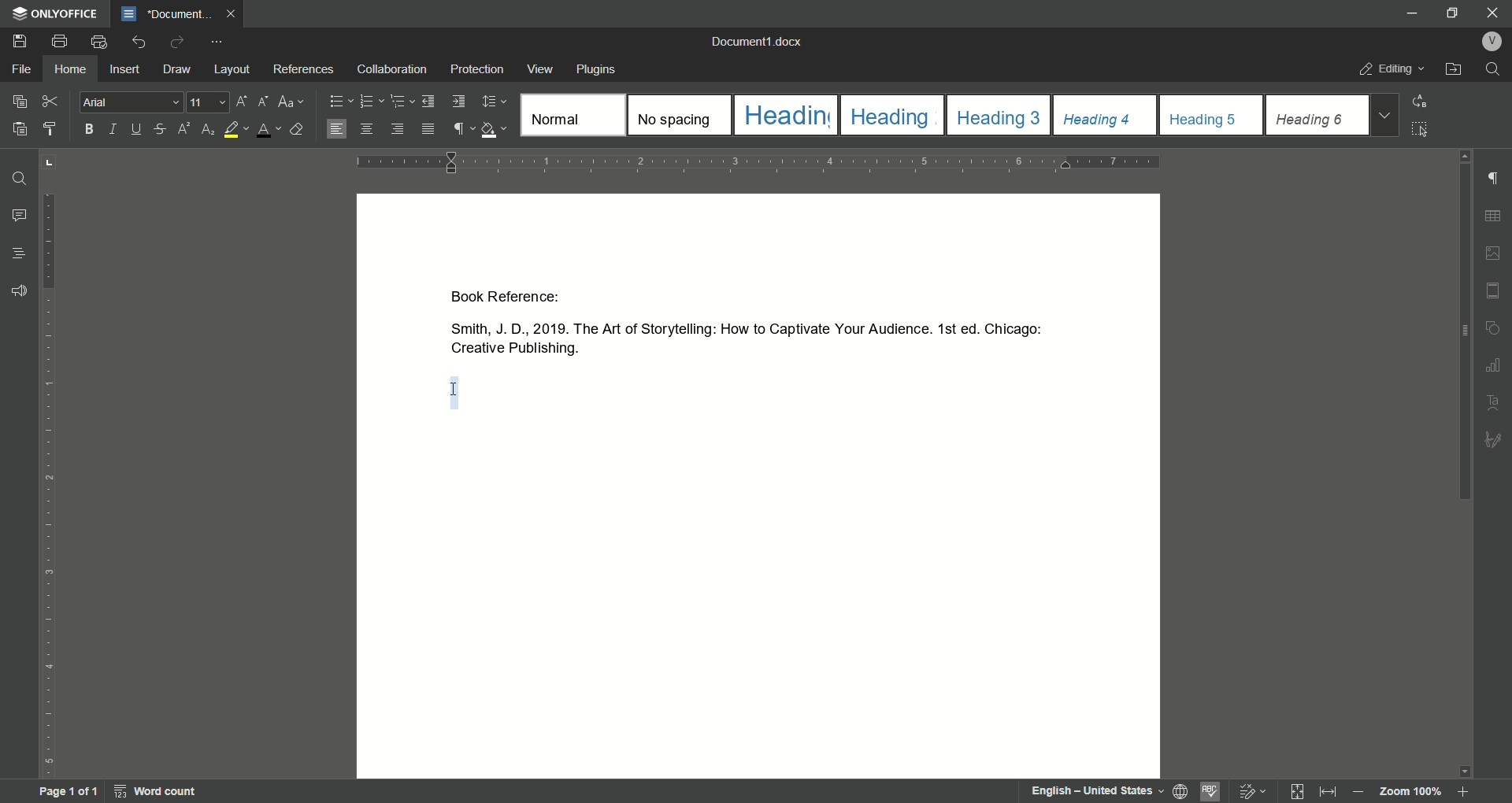 The height and width of the screenshot is (803, 1512). I want to click on nonprinting character, so click(462, 128).